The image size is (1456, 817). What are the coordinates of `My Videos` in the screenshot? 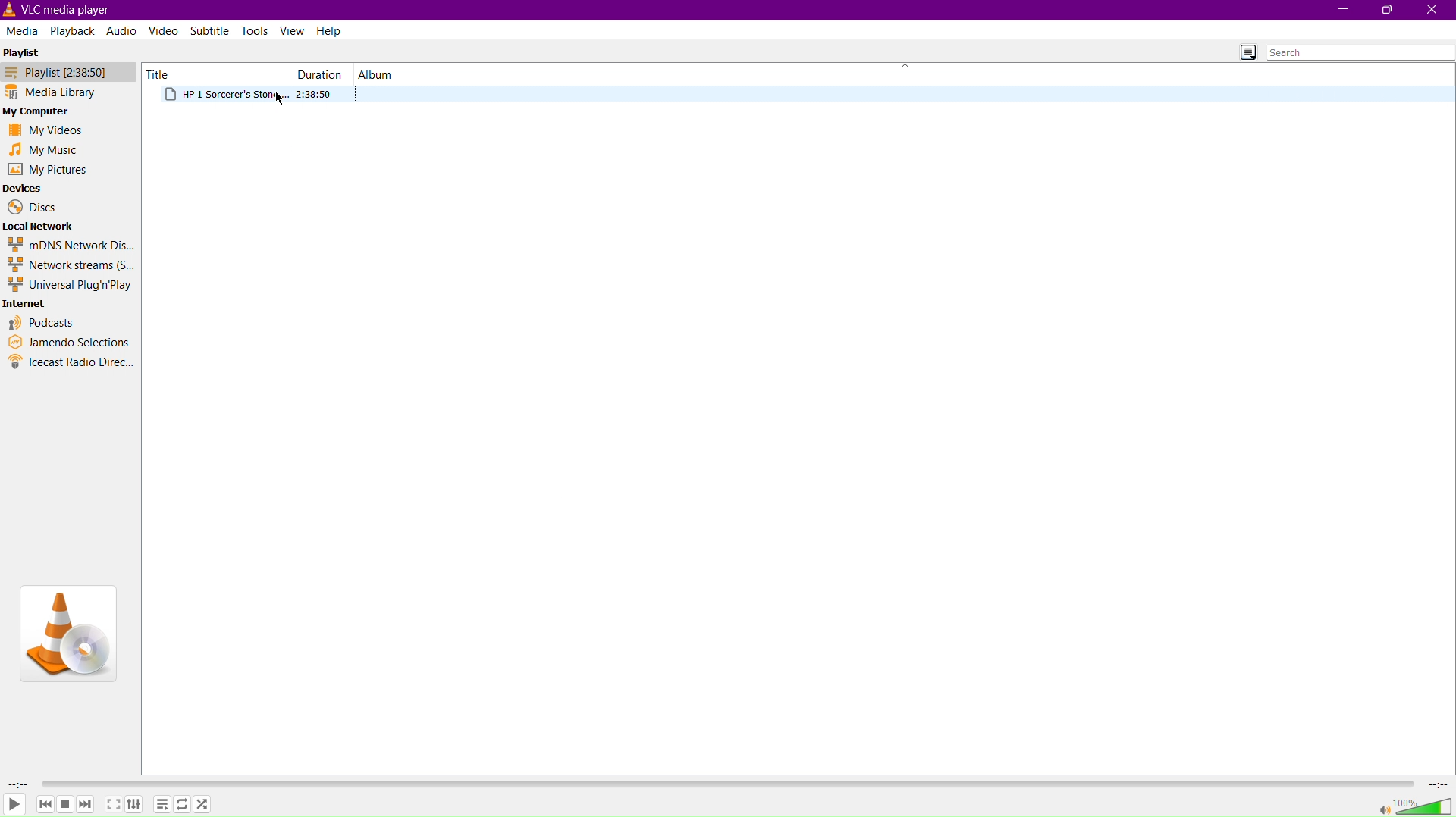 It's located at (45, 130).